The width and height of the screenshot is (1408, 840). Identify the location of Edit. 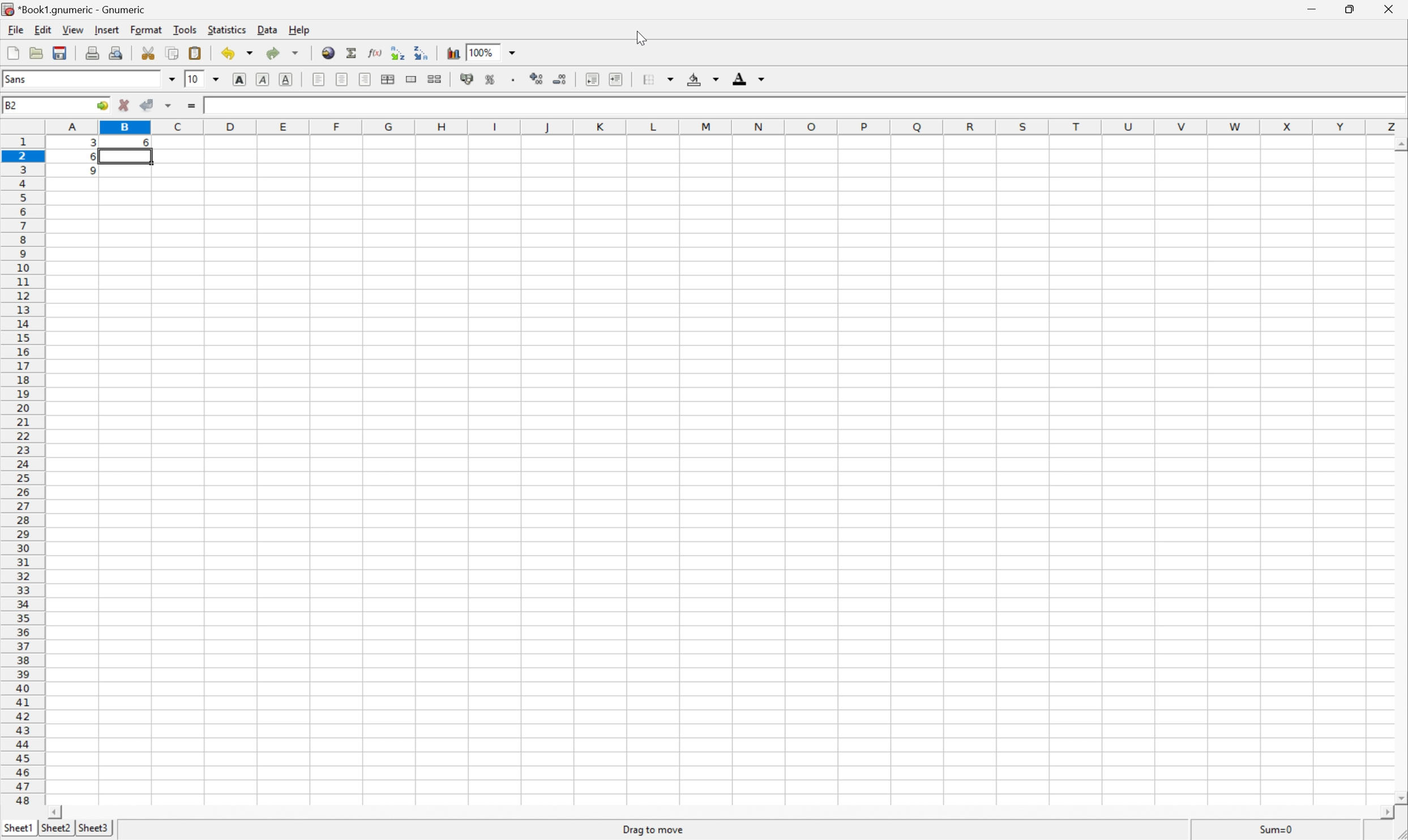
(42, 29).